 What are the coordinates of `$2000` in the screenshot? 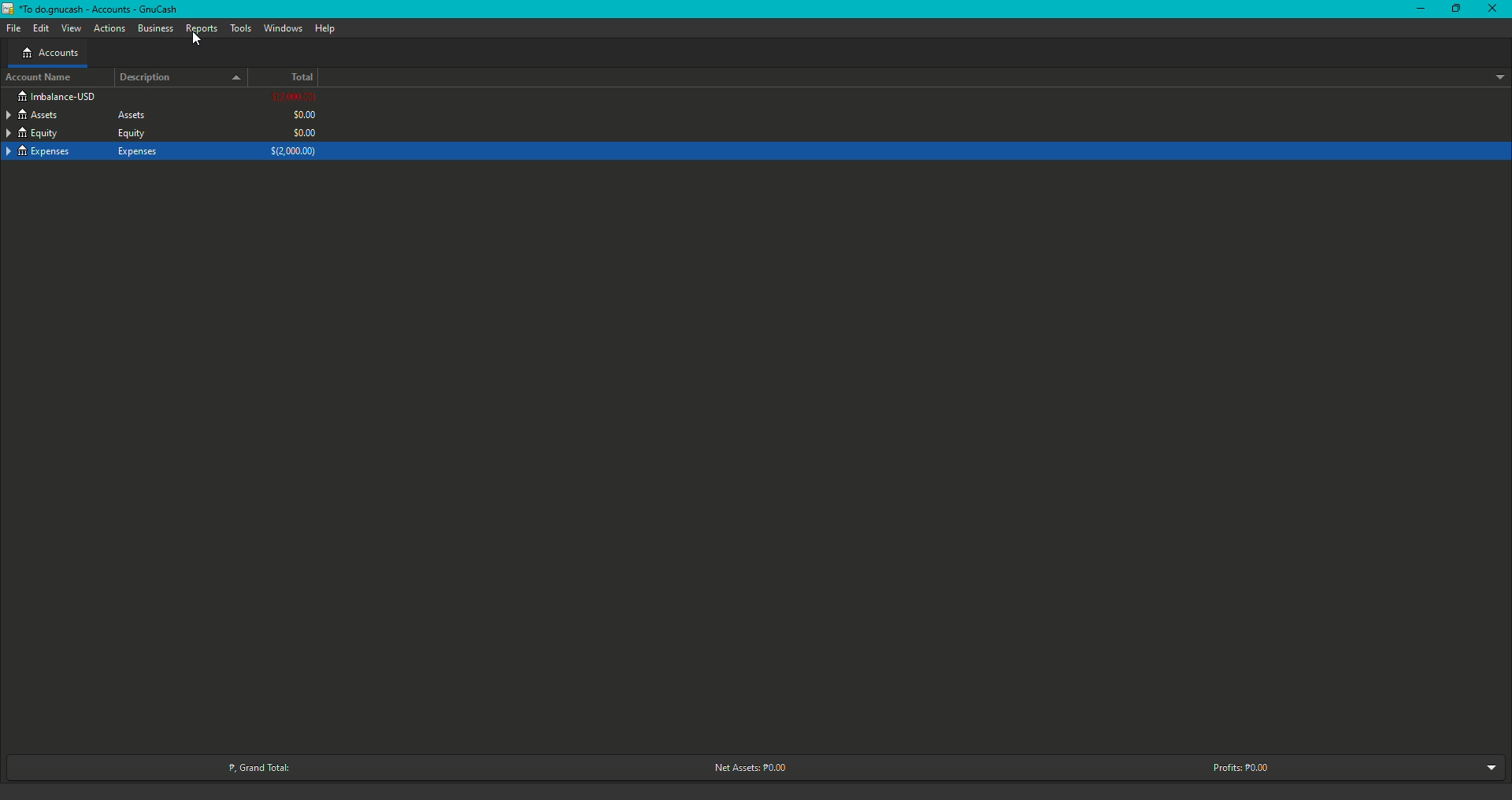 It's located at (297, 97).